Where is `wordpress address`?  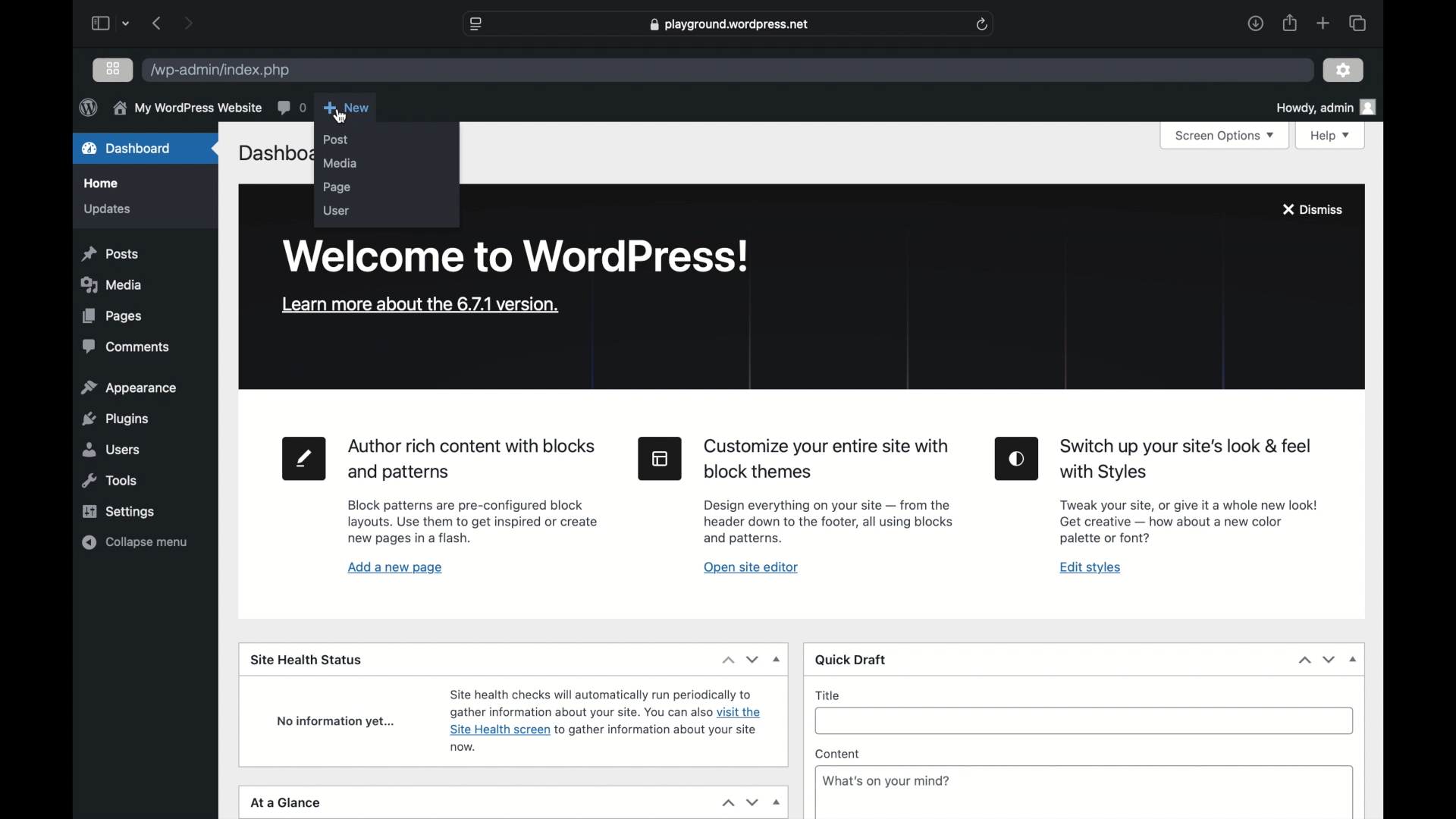 wordpress address is located at coordinates (220, 71).